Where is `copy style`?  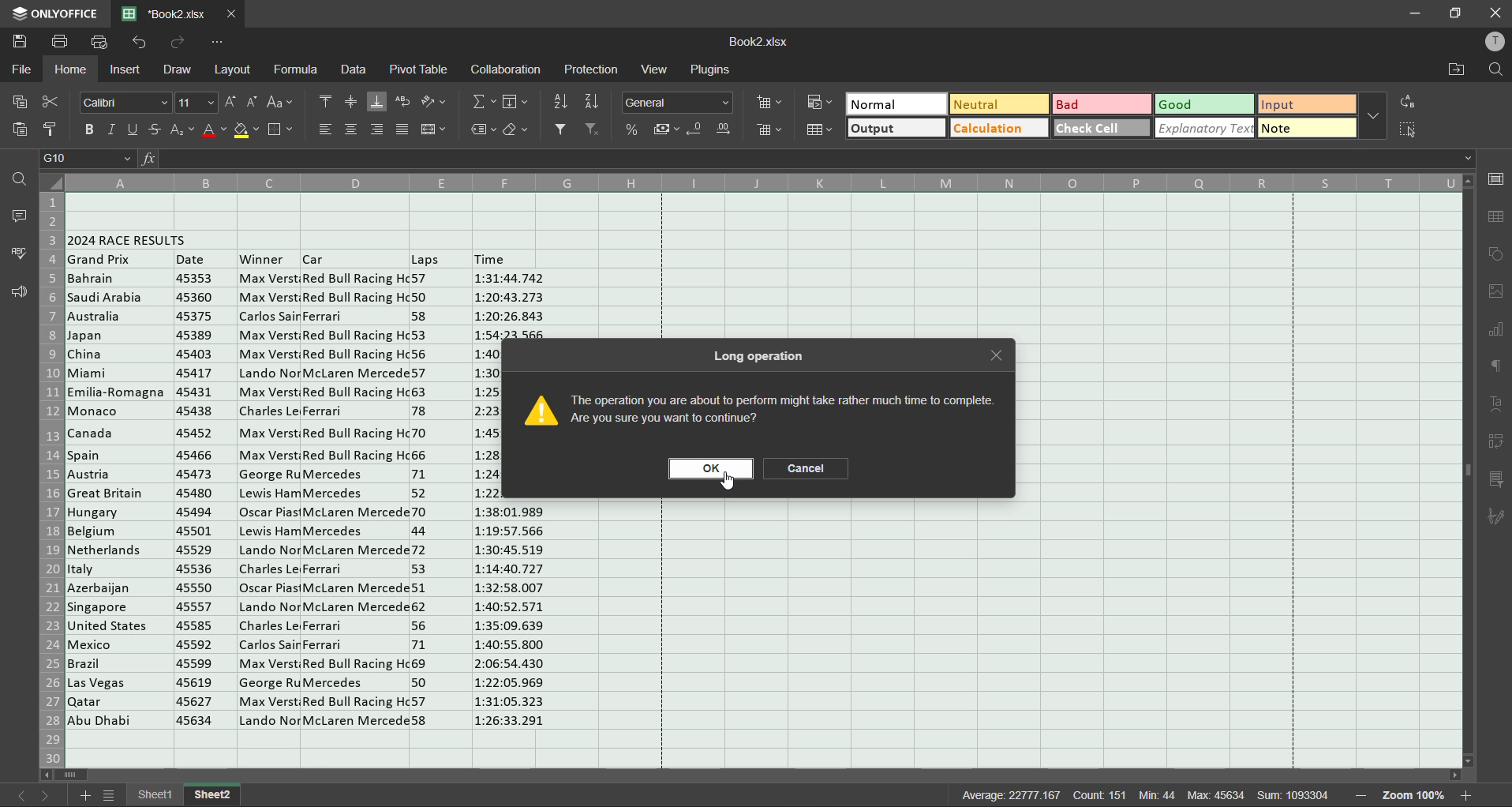
copy style is located at coordinates (51, 127).